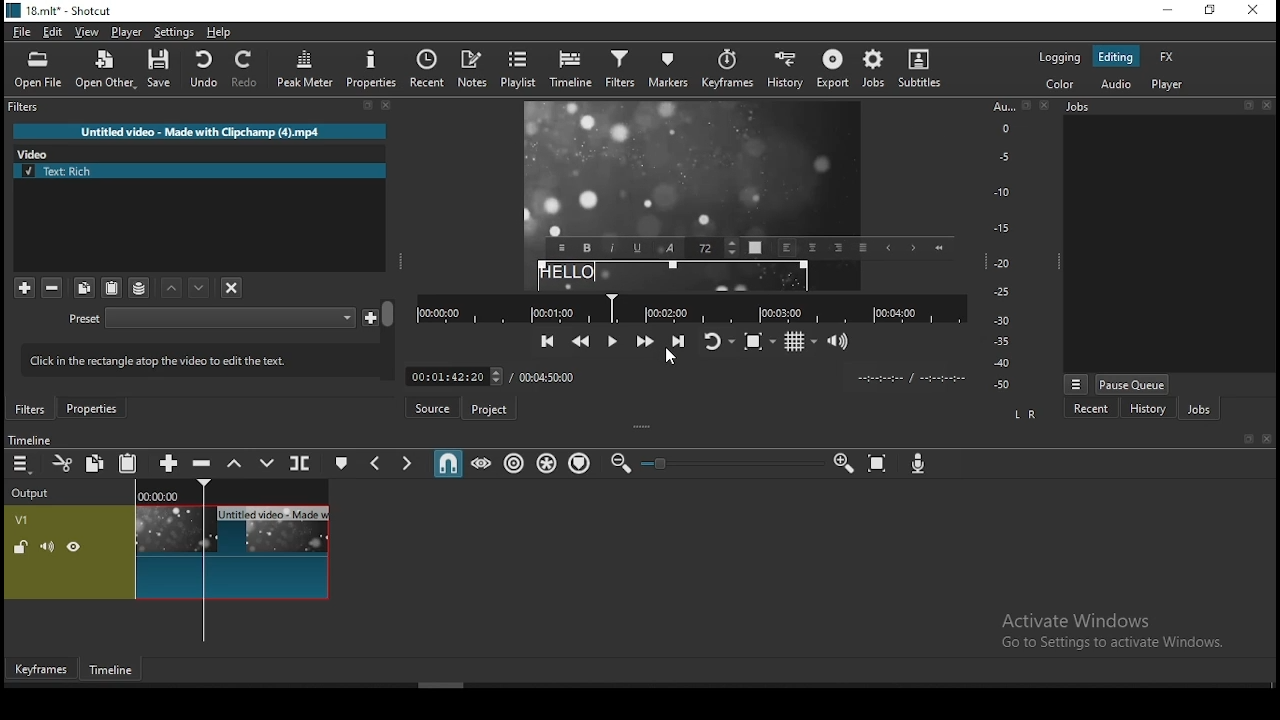 This screenshot has height=720, width=1280. I want to click on minimize, so click(1171, 9).